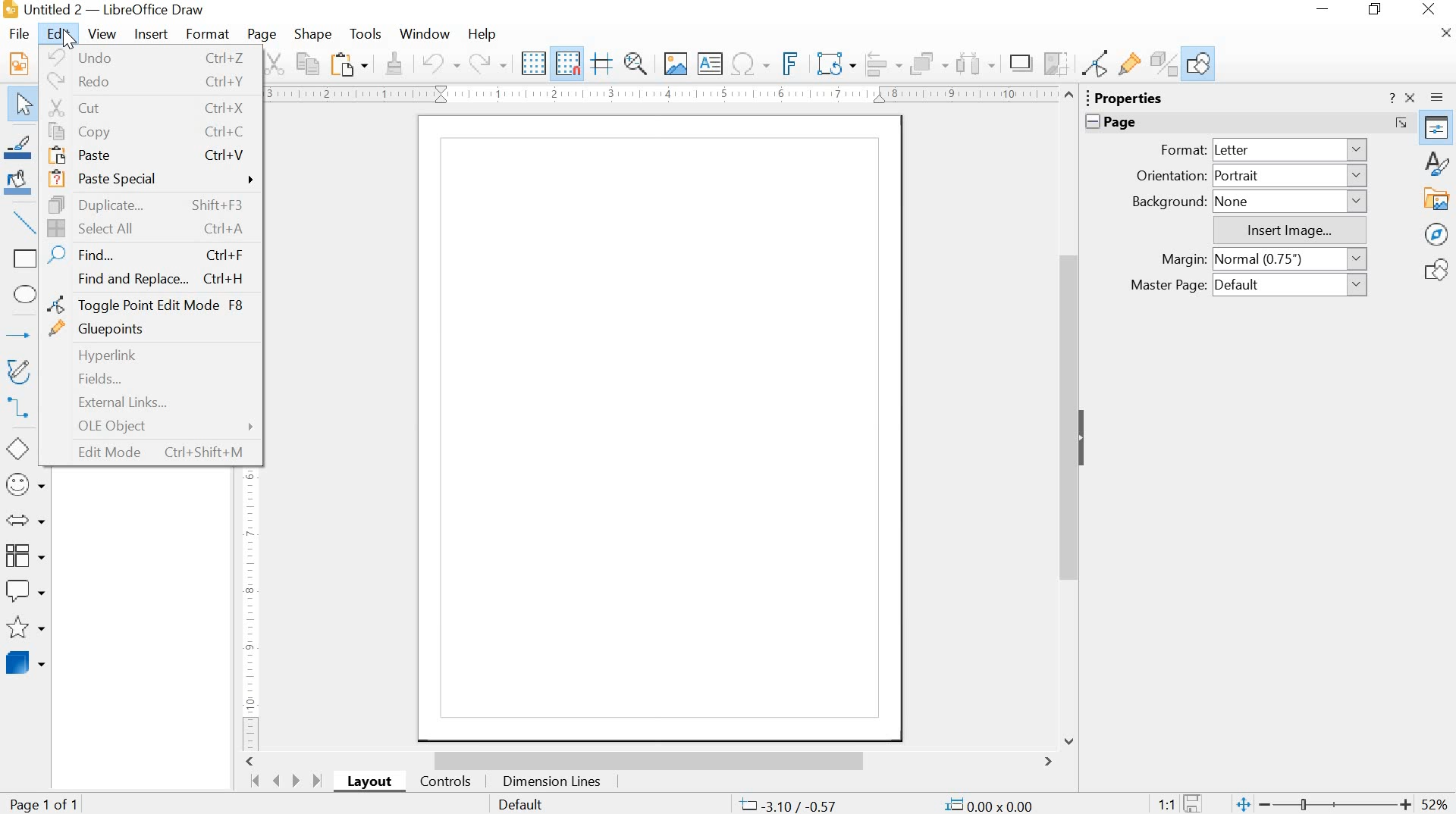 This screenshot has width=1456, height=814. What do you see at coordinates (931, 61) in the screenshot?
I see `Arrange` at bounding box center [931, 61].